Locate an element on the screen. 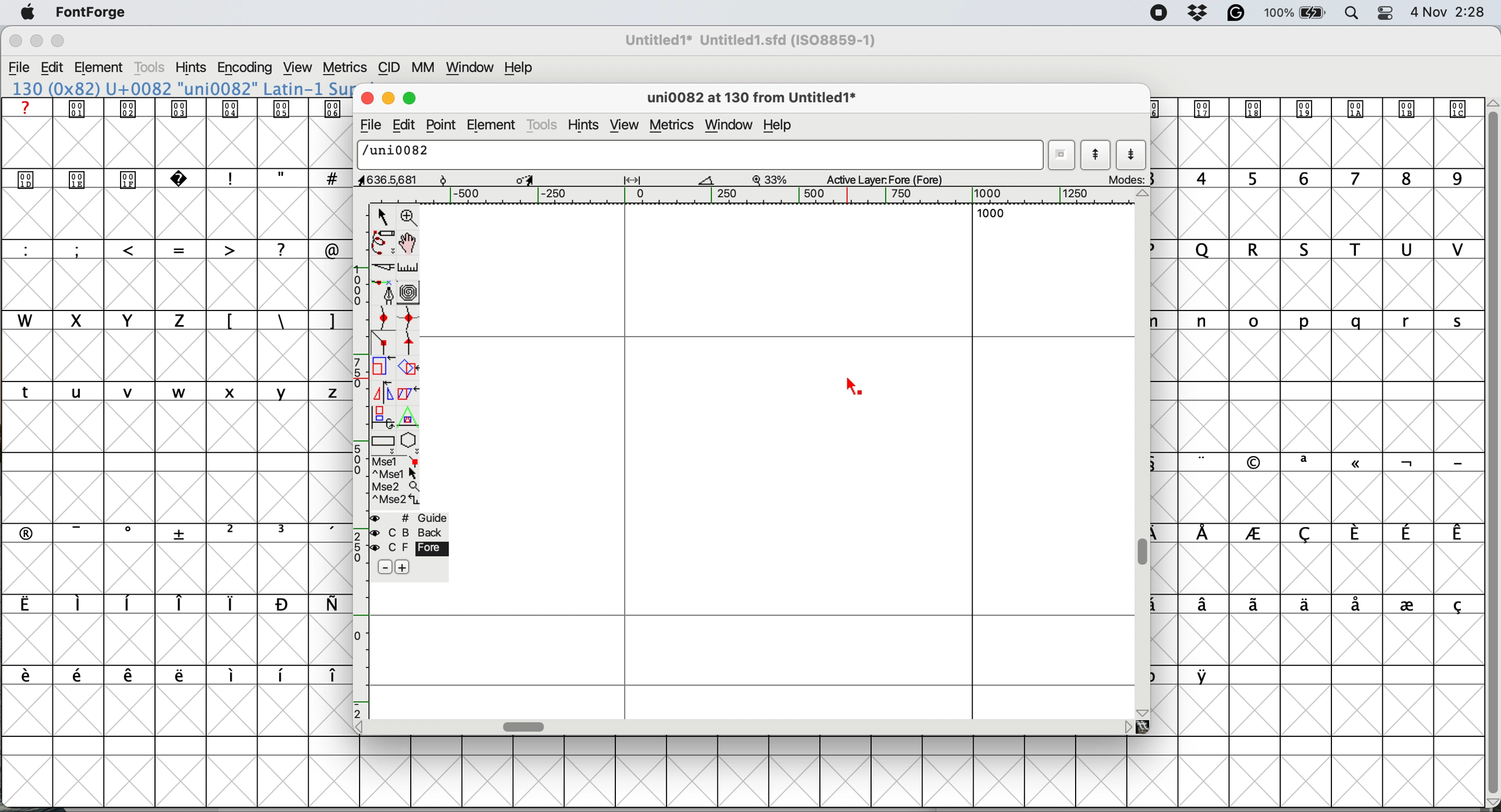  tools is located at coordinates (152, 68).